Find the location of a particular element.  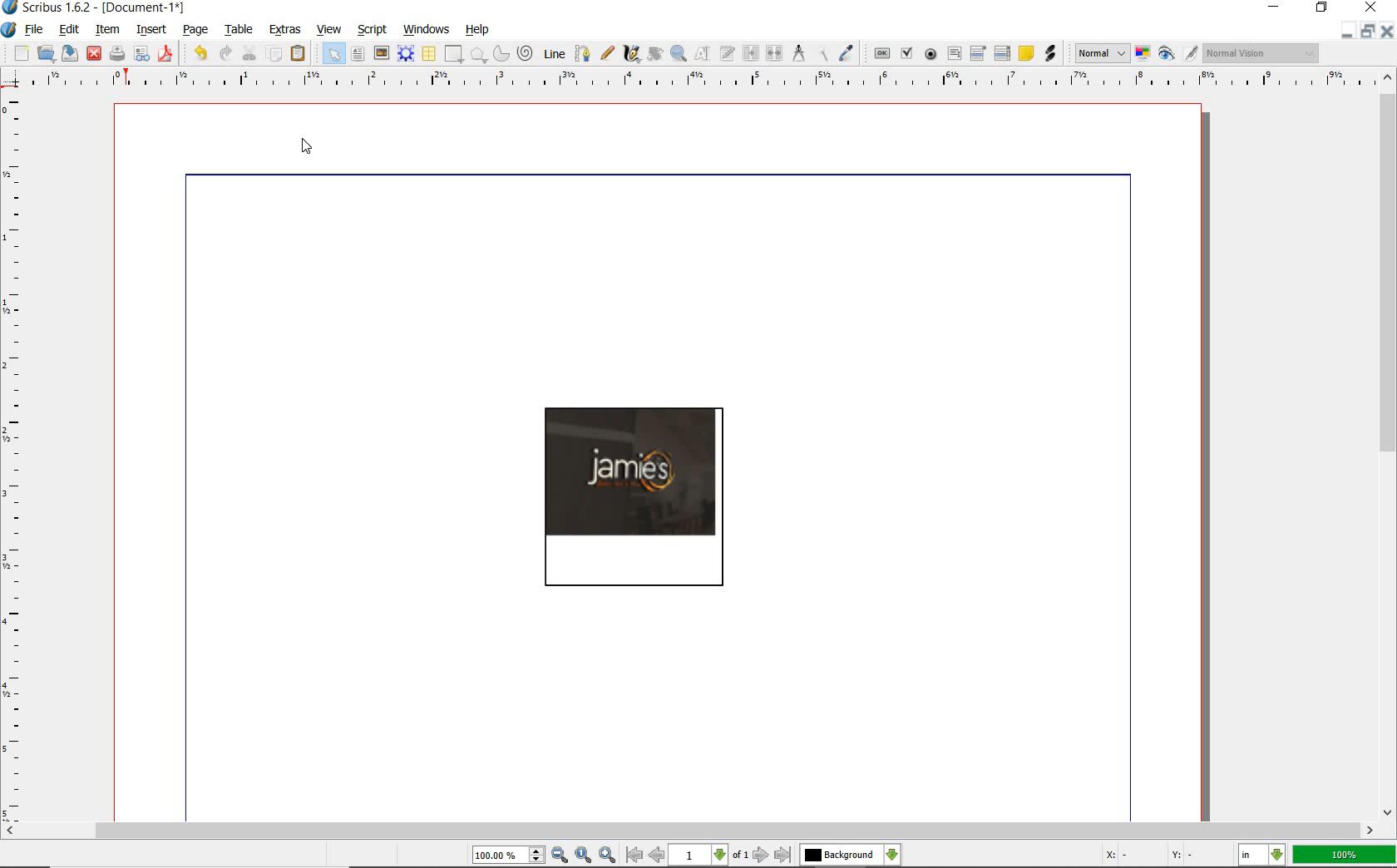

visual appearance of the display: Normal Vision is located at coordinates (1260, 52).